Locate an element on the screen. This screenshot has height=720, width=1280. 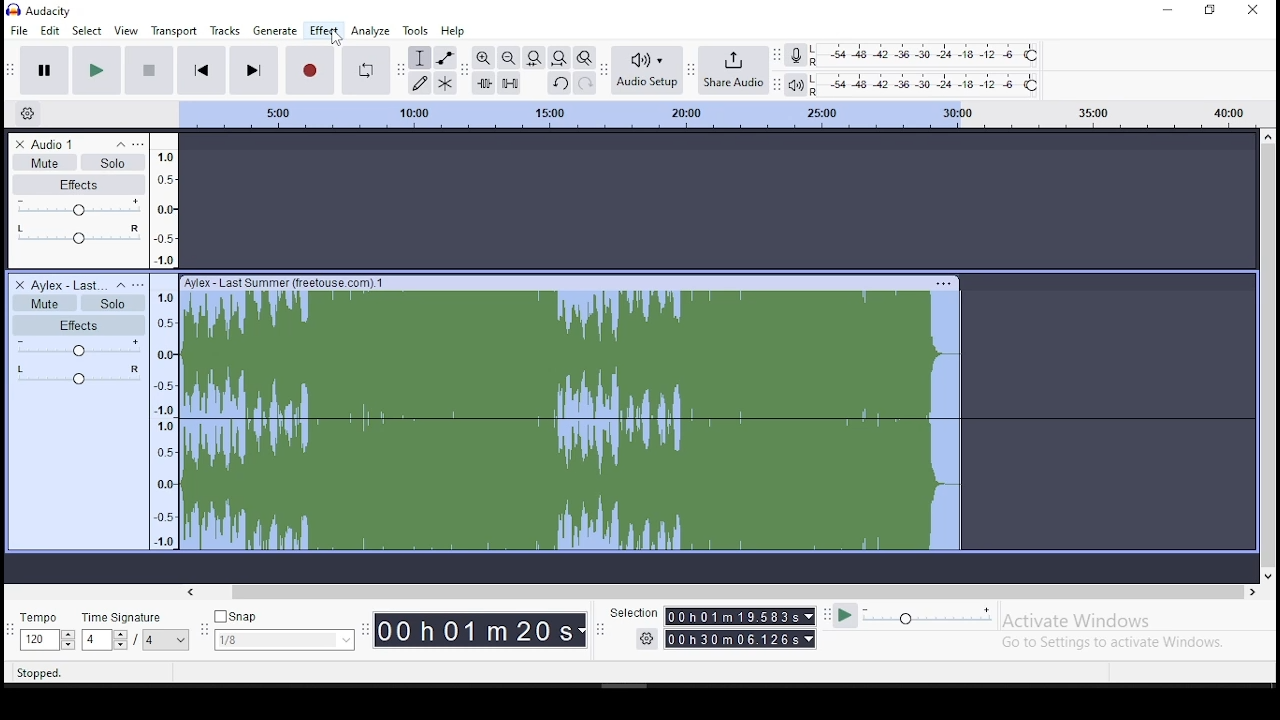
collapse is located at coordinates (120, 142).